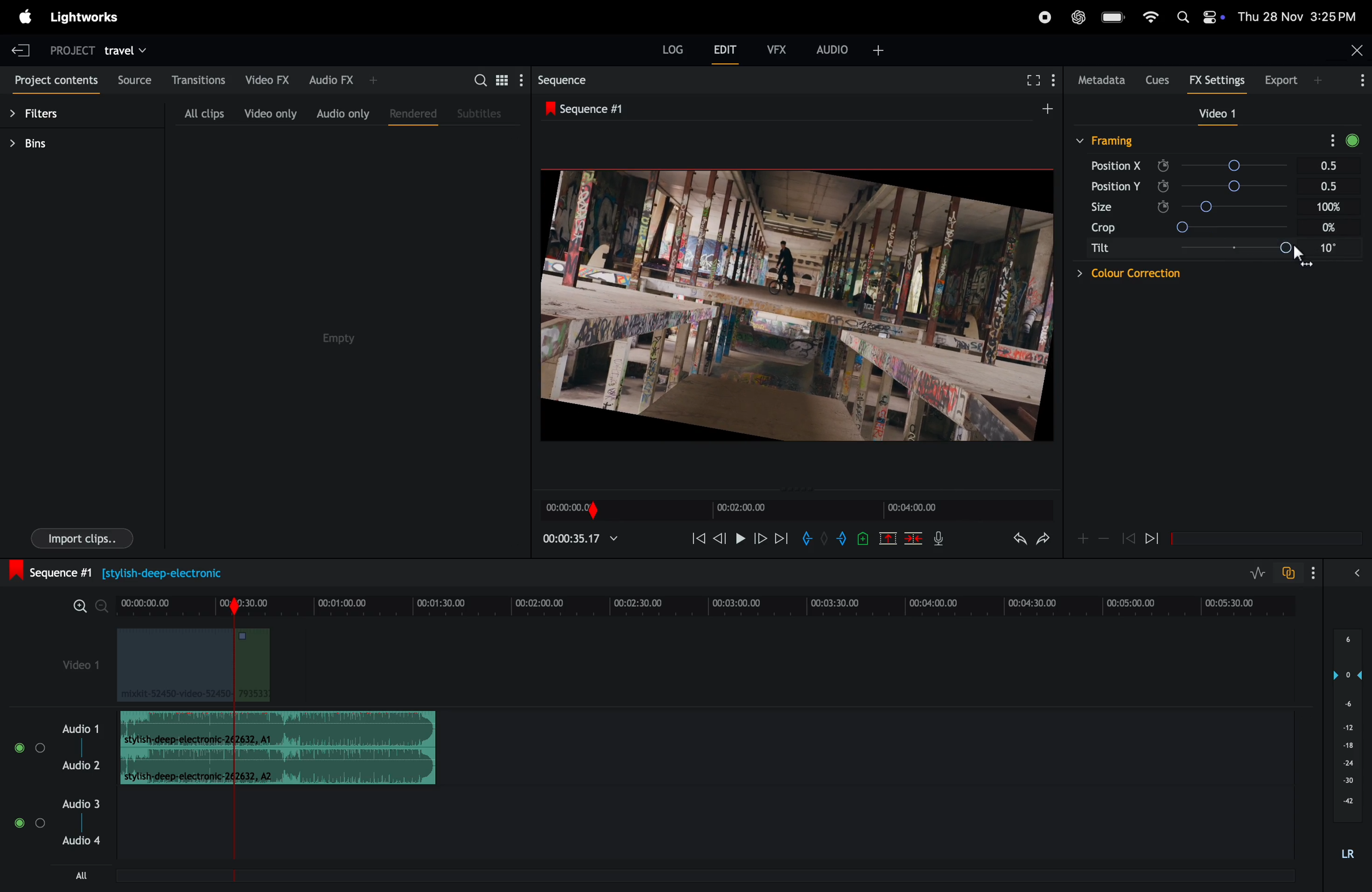  Describe the element at coordinates (569, 80) in the screenshot. I see `sequences` at that location.